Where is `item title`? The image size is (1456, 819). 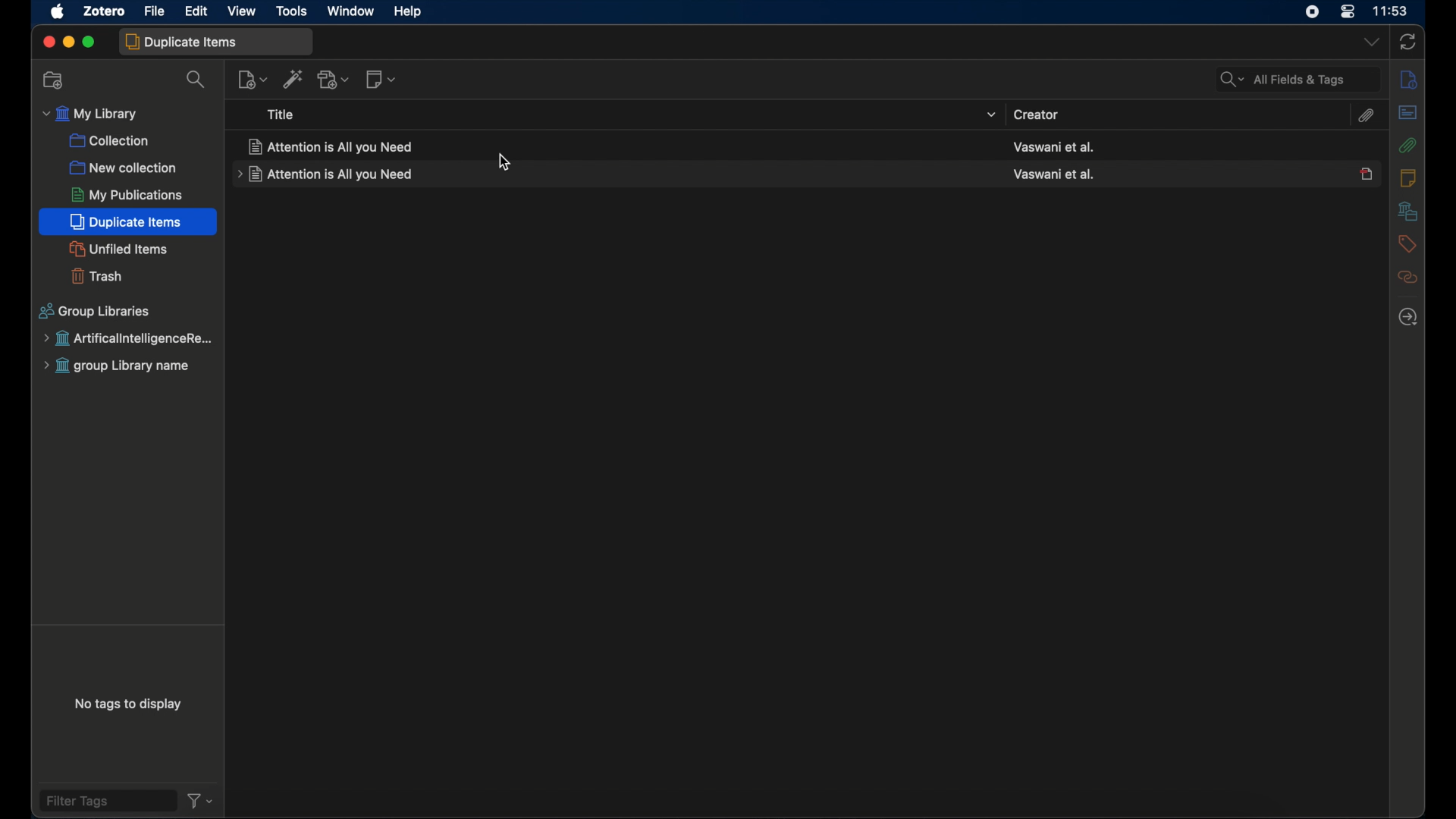
item title is located at coordinates (325, 177).